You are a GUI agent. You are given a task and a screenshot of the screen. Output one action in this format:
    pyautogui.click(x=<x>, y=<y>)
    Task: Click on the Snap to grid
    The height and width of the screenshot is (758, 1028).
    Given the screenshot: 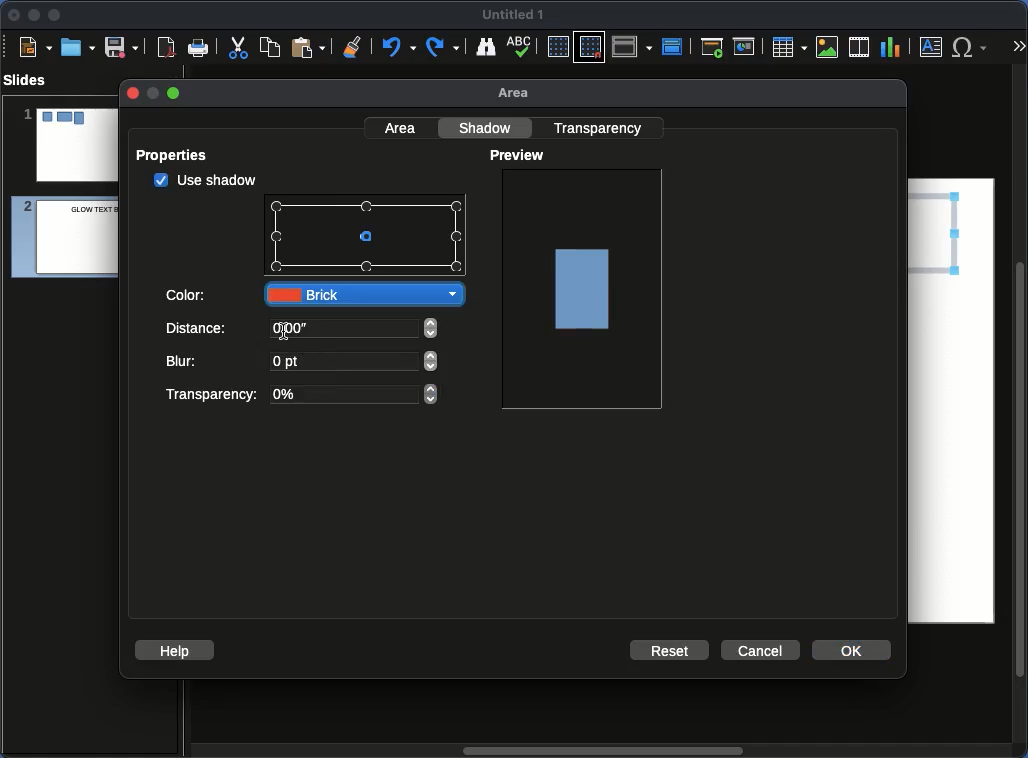 What is the action you would take?
    pyautogui.click(x=592, y=46)
    